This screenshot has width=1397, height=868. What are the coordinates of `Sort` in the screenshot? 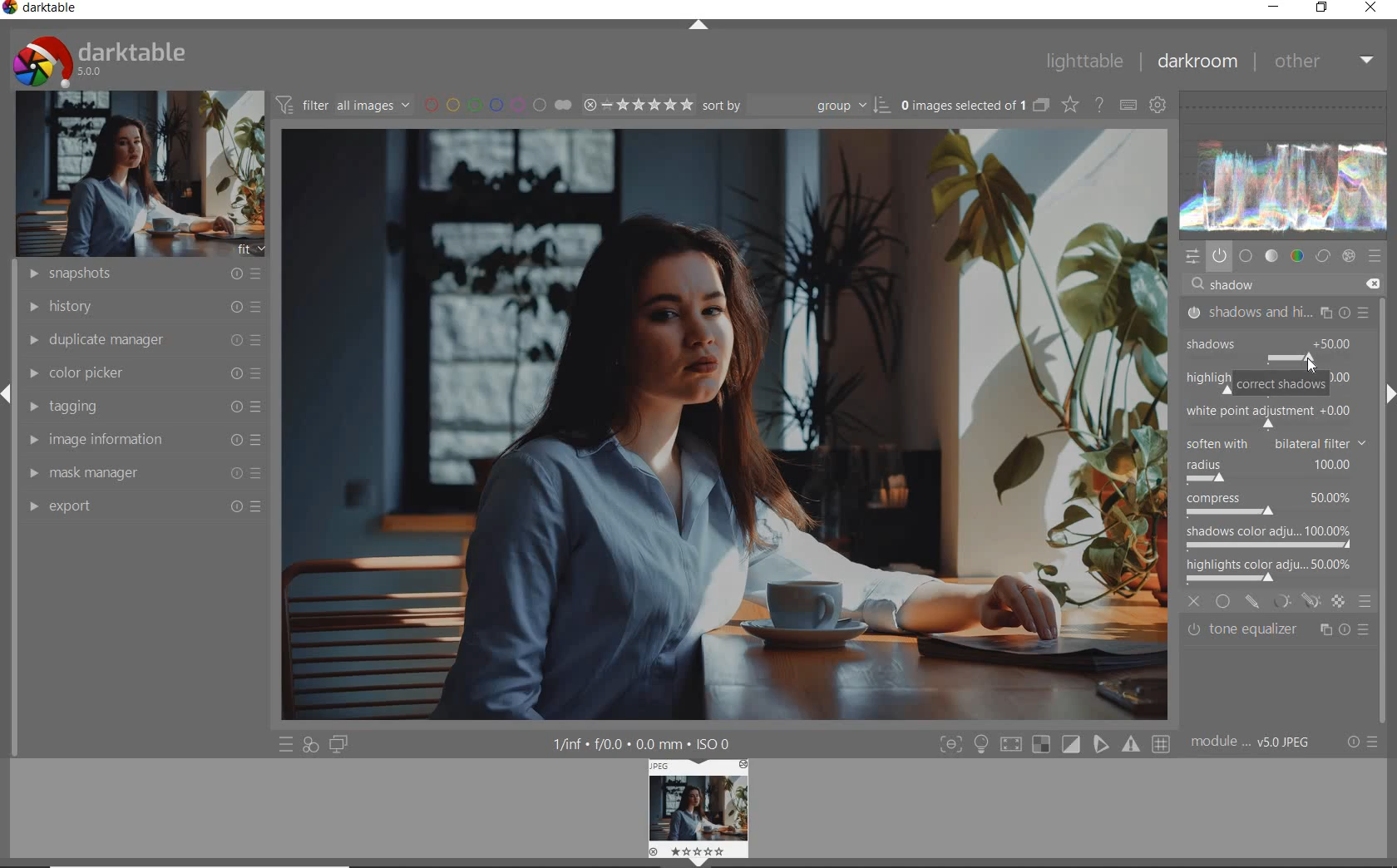 It's located at (797, 104).